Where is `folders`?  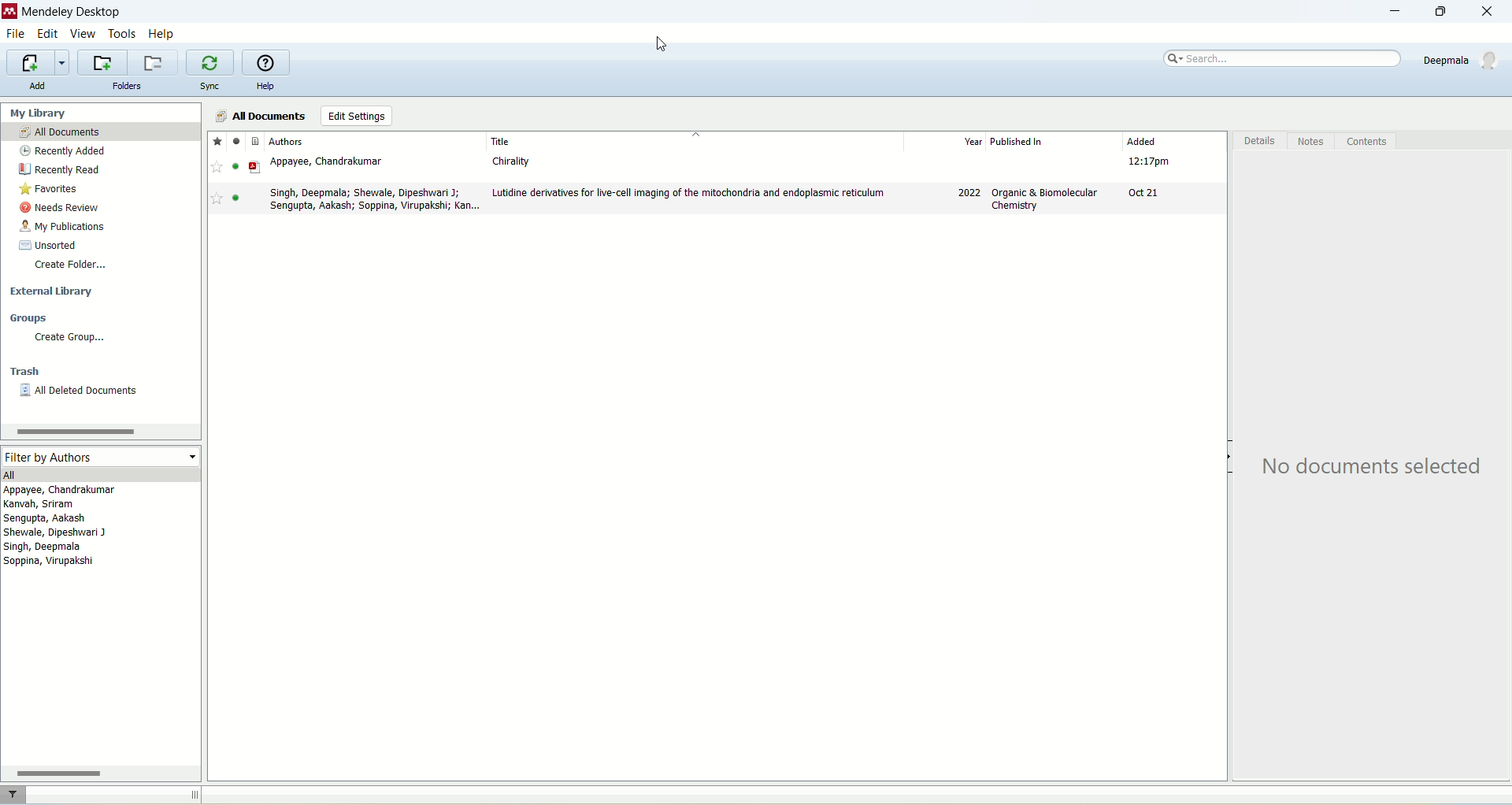 folders is located at coordinates (127, 87).